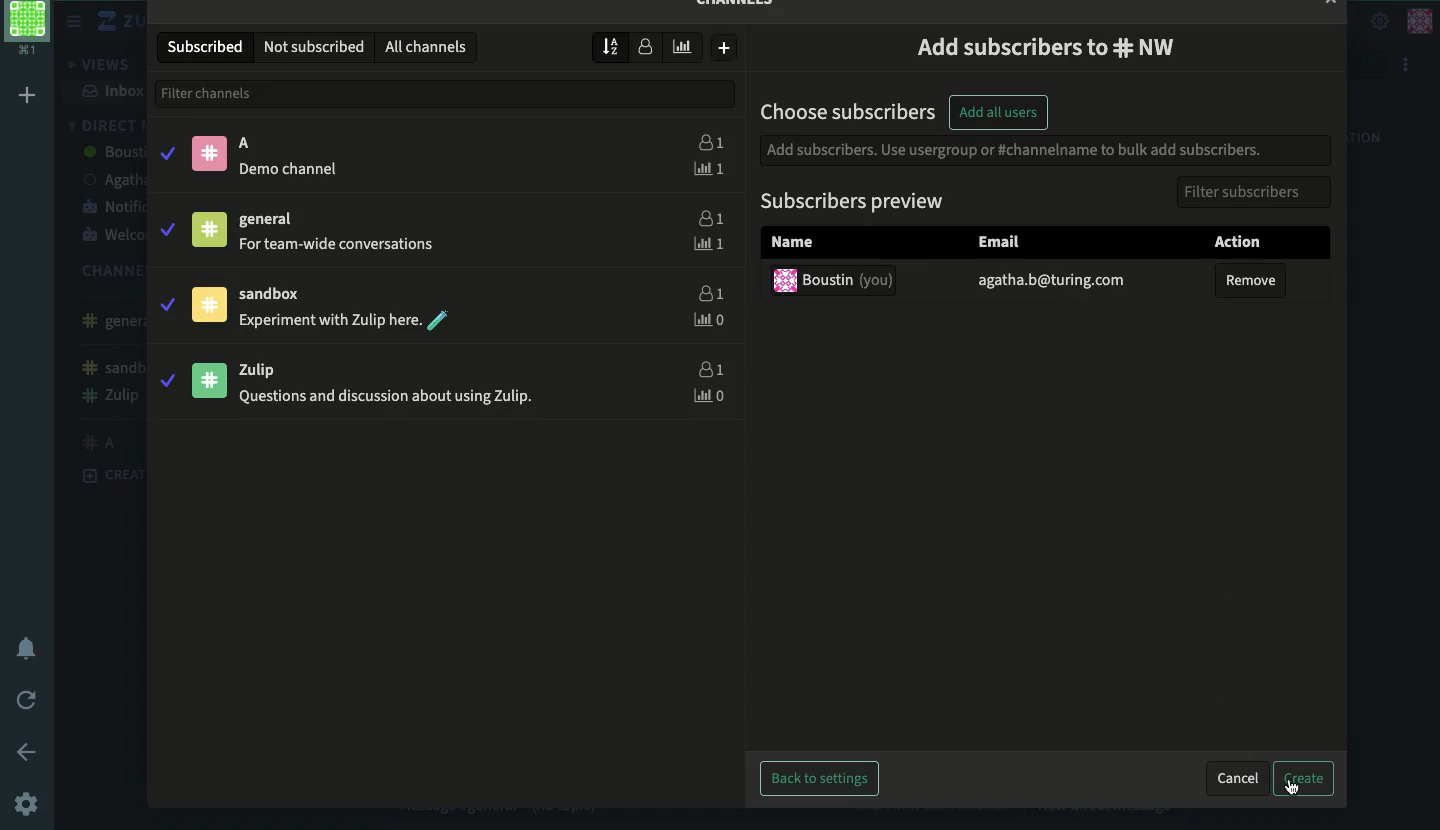 This screenshot has width=1440, height=830. I want to click on ® Demo channel, so click(294, 169).